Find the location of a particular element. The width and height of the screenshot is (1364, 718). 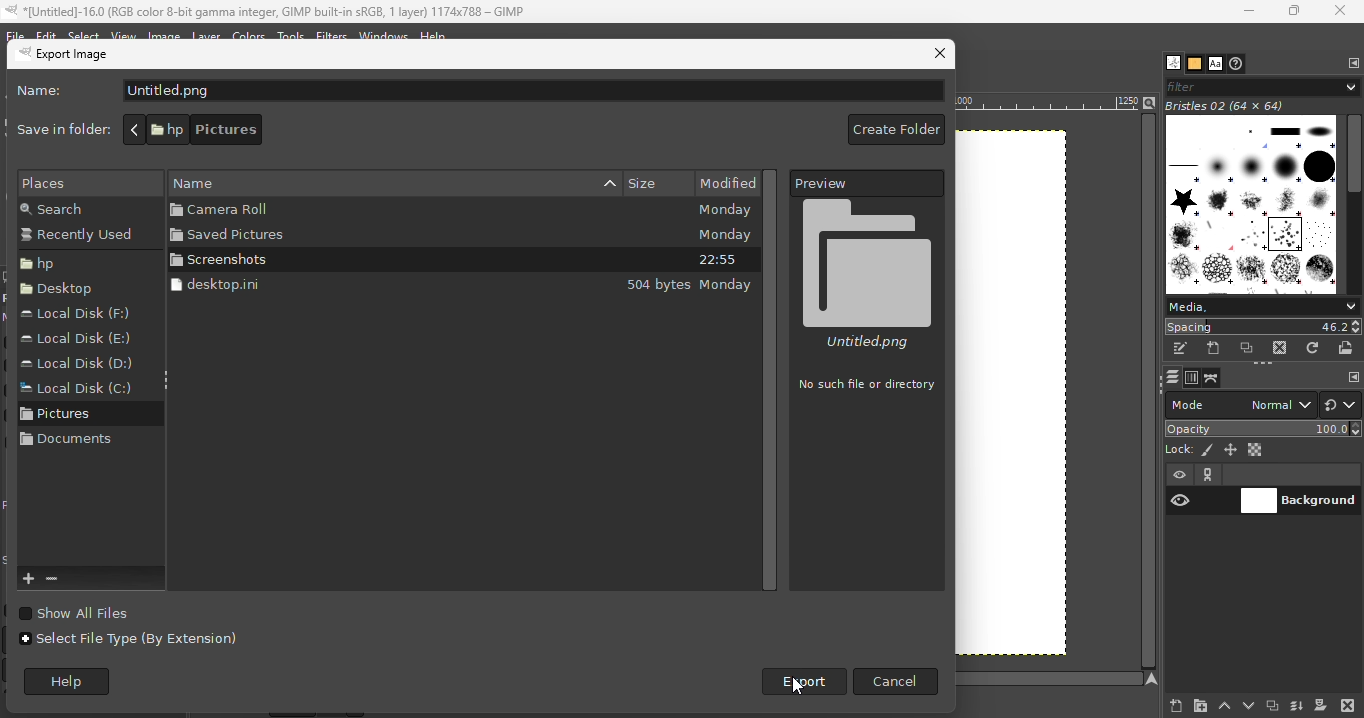

Help is located at coordinates (434, 33).